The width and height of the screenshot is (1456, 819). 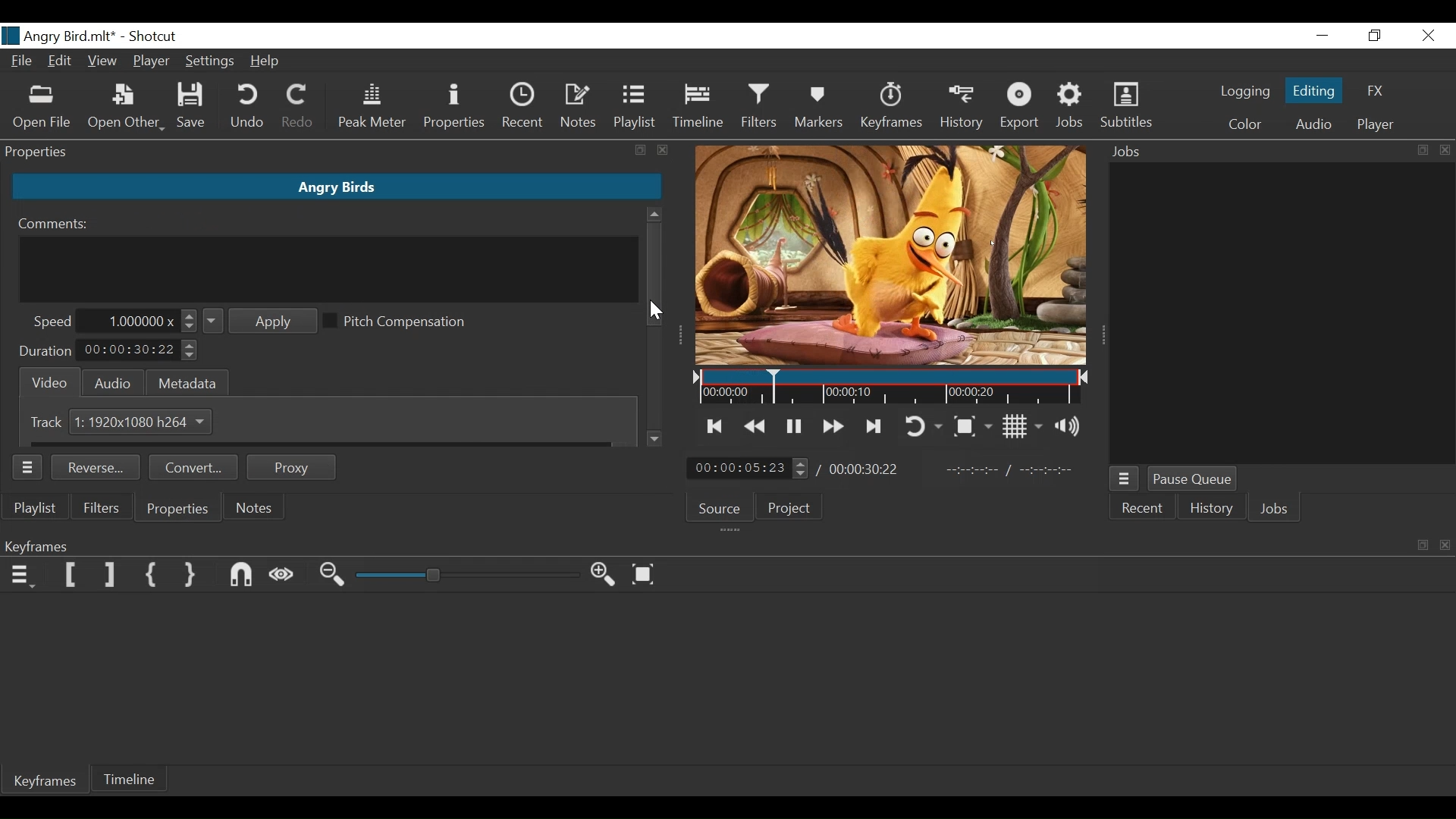 I want to click on Comments, so click(x=55, y=224).